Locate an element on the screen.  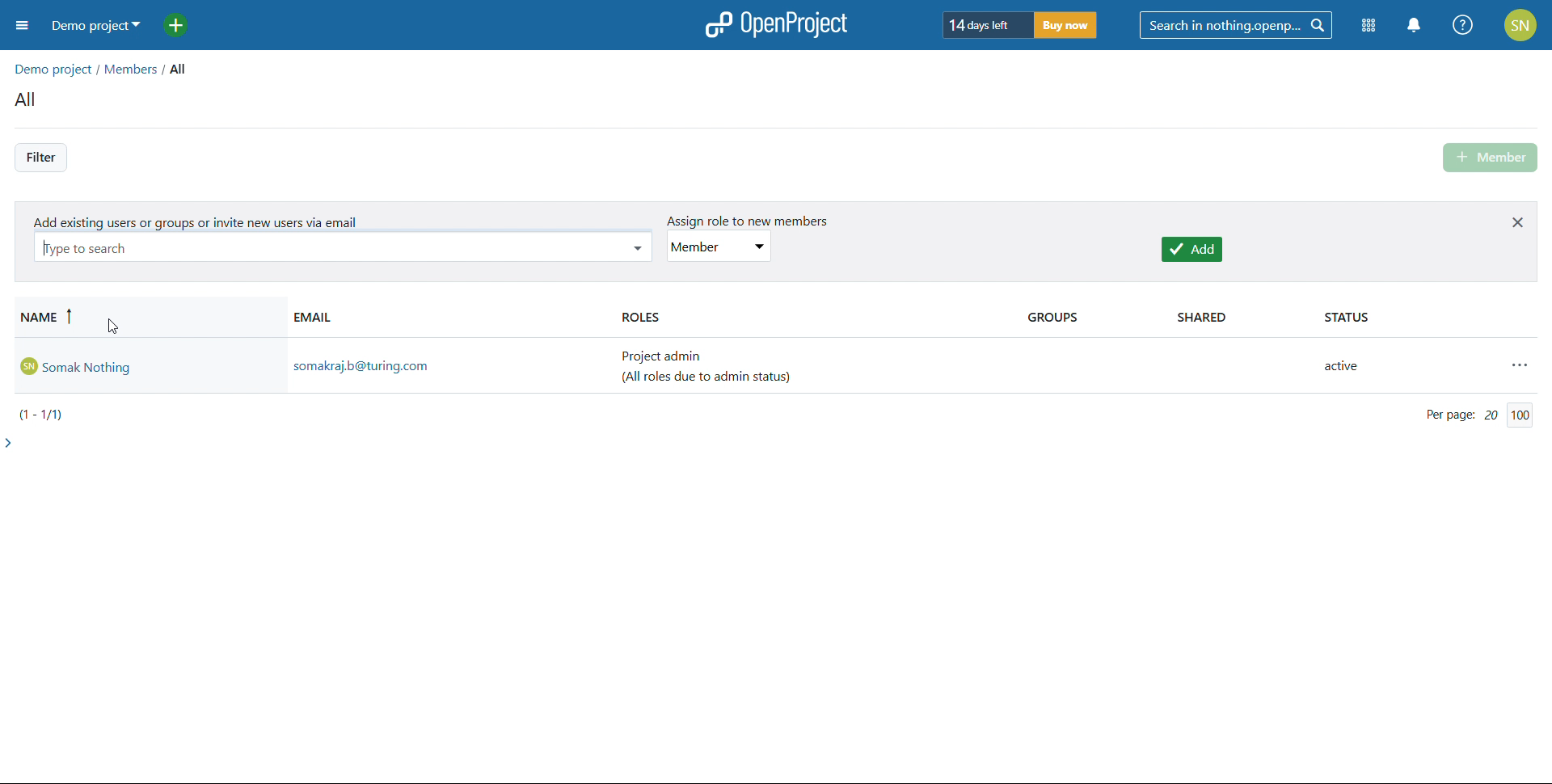
Admin account is located at coordinates (145, 365).